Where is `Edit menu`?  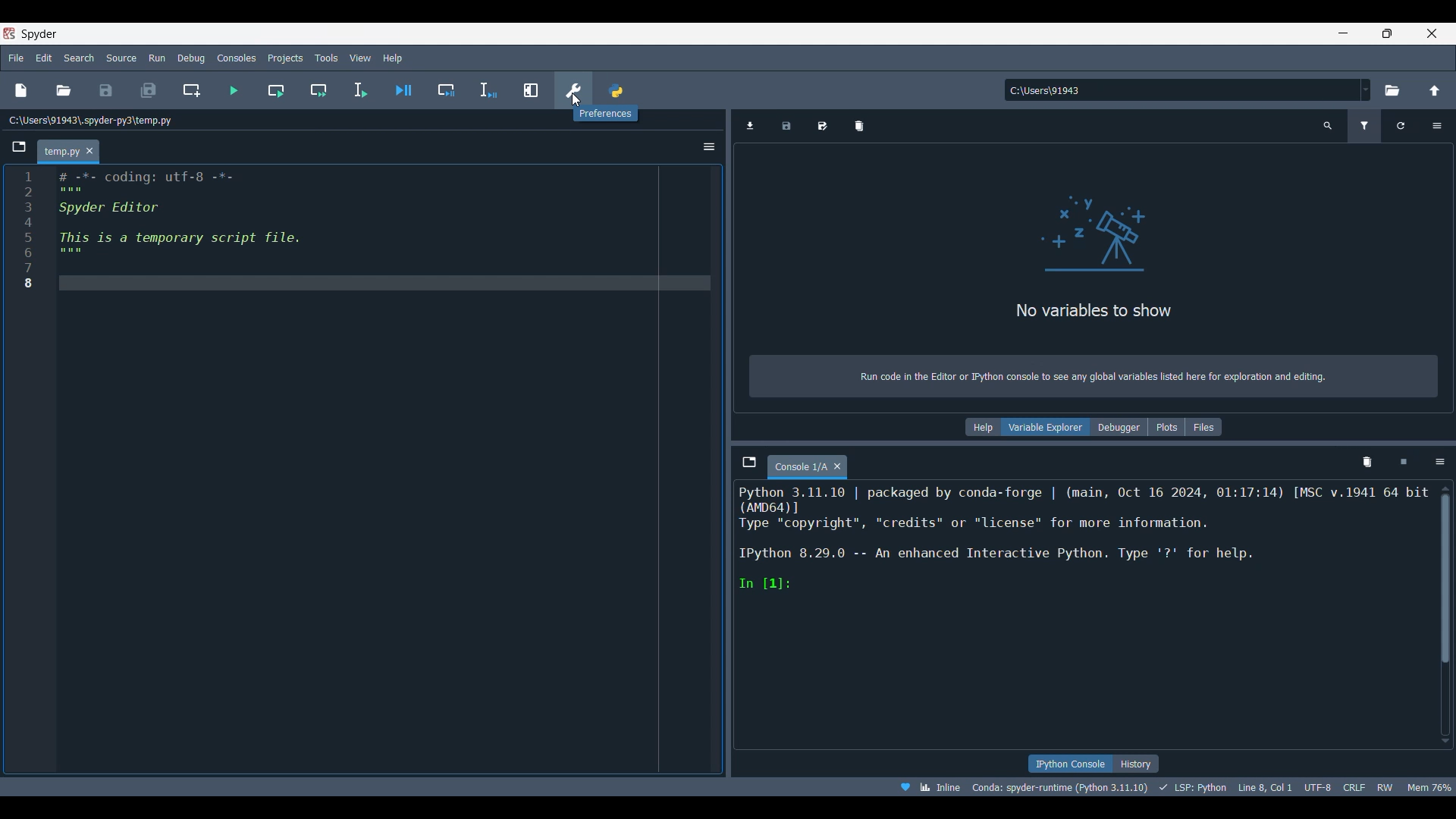
Edit menu is located at coordinates (45, 58).